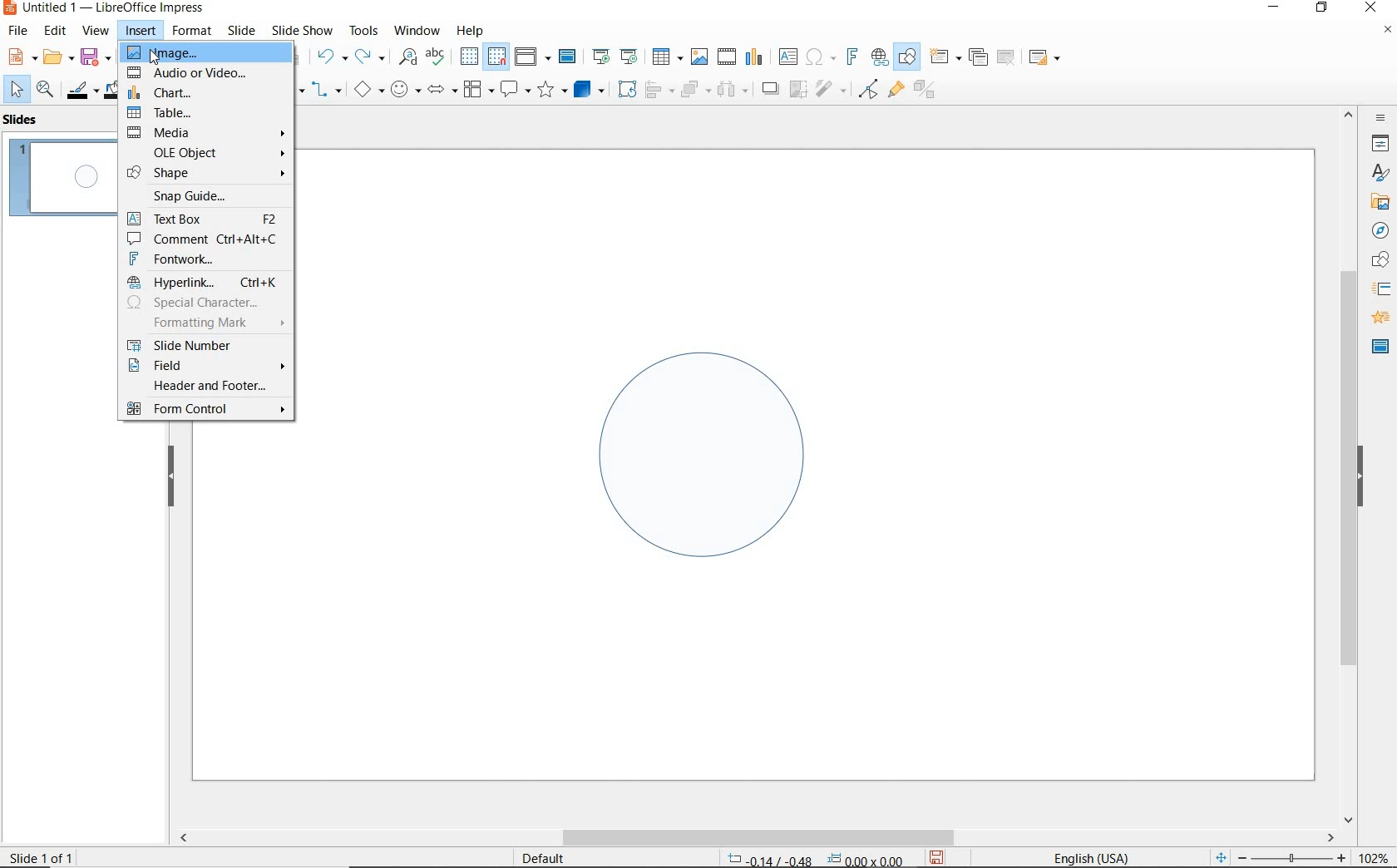  I want to click on insert special characters, so click(817, 55).